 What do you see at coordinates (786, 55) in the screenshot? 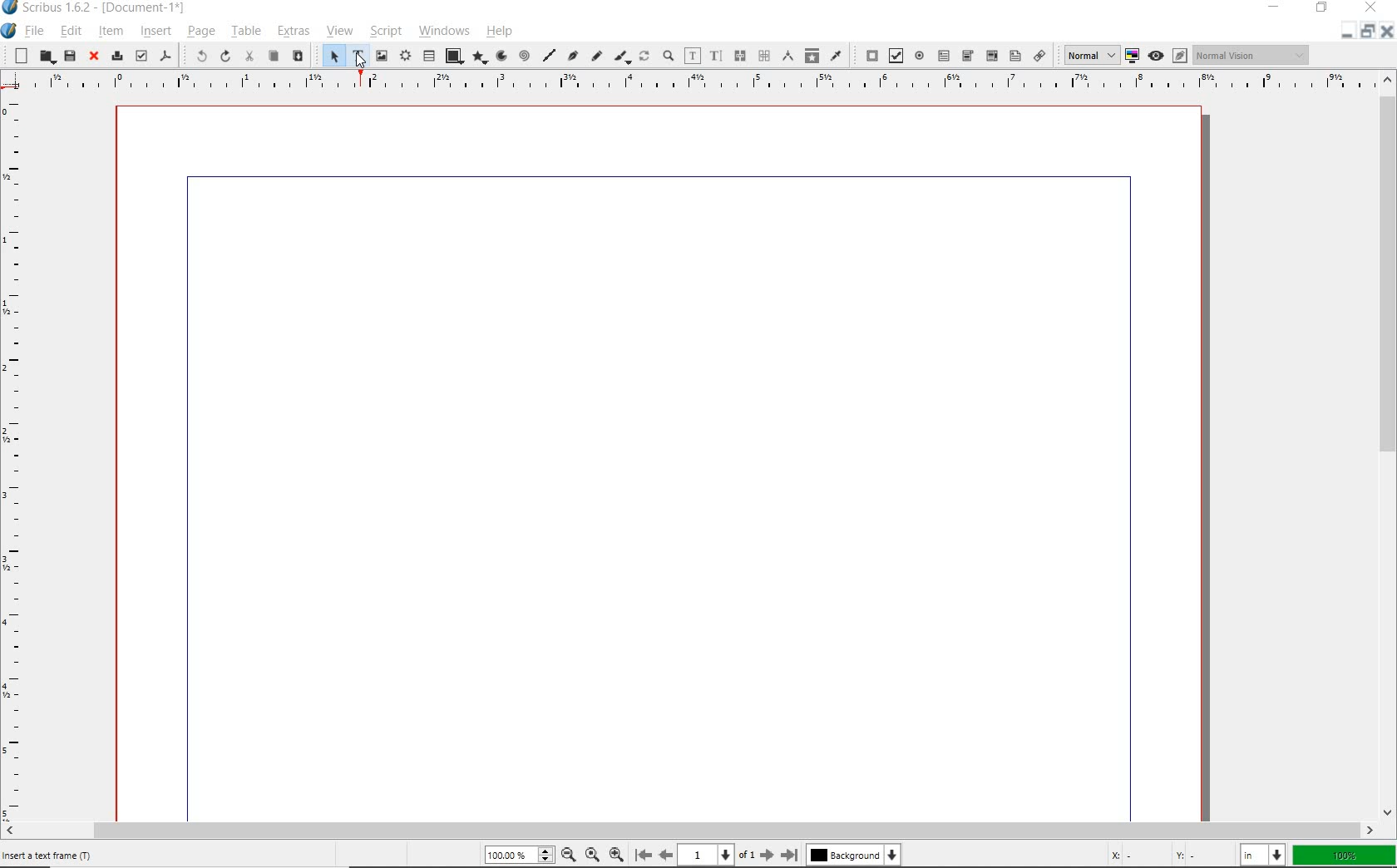
I see `measurements` at bounding box center [786, 55].